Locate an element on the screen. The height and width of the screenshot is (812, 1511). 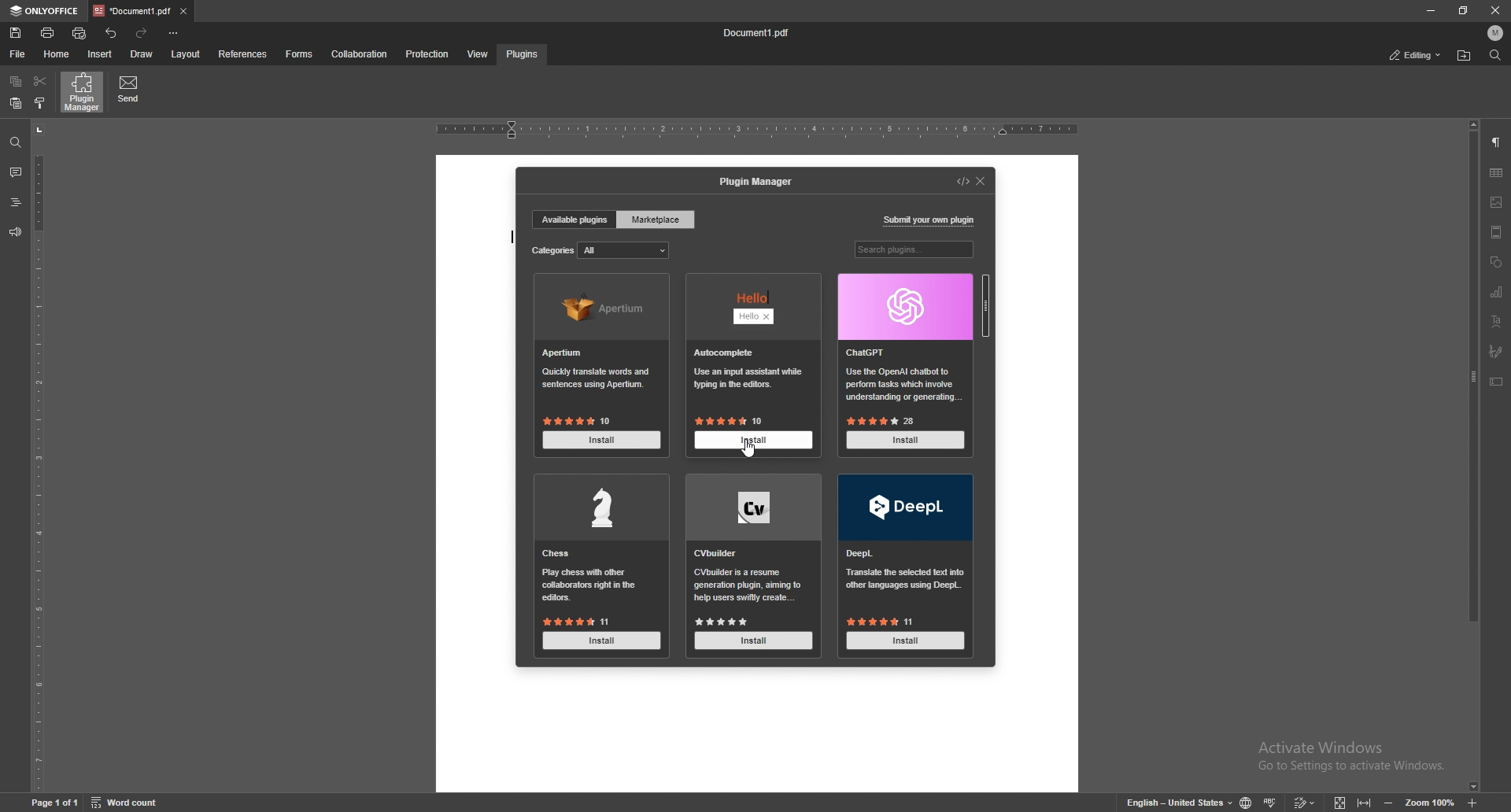
track changes is located at coordinates (1306, 802).